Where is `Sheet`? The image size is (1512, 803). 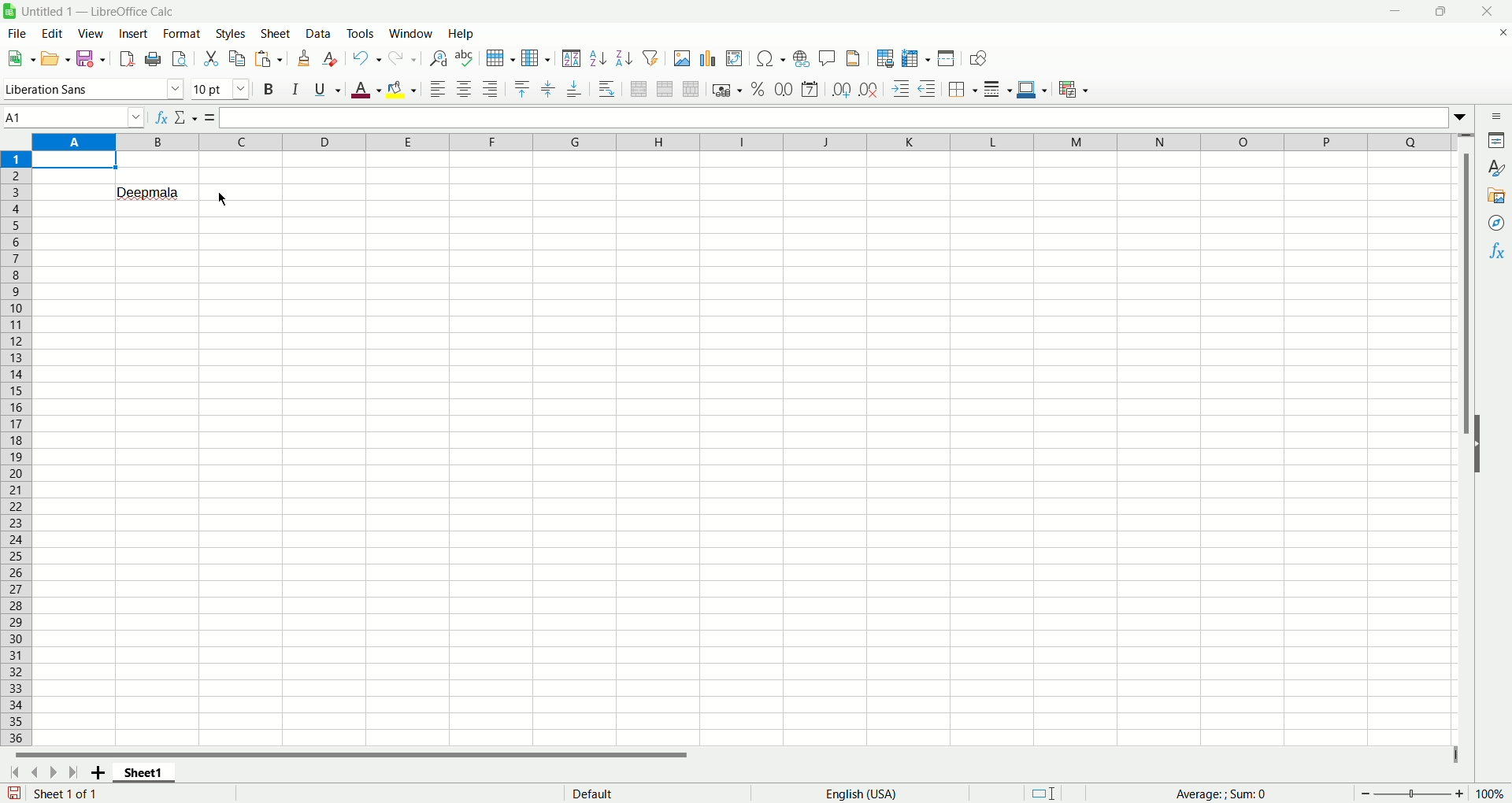
Sheet is located at coordinates (276, 33).